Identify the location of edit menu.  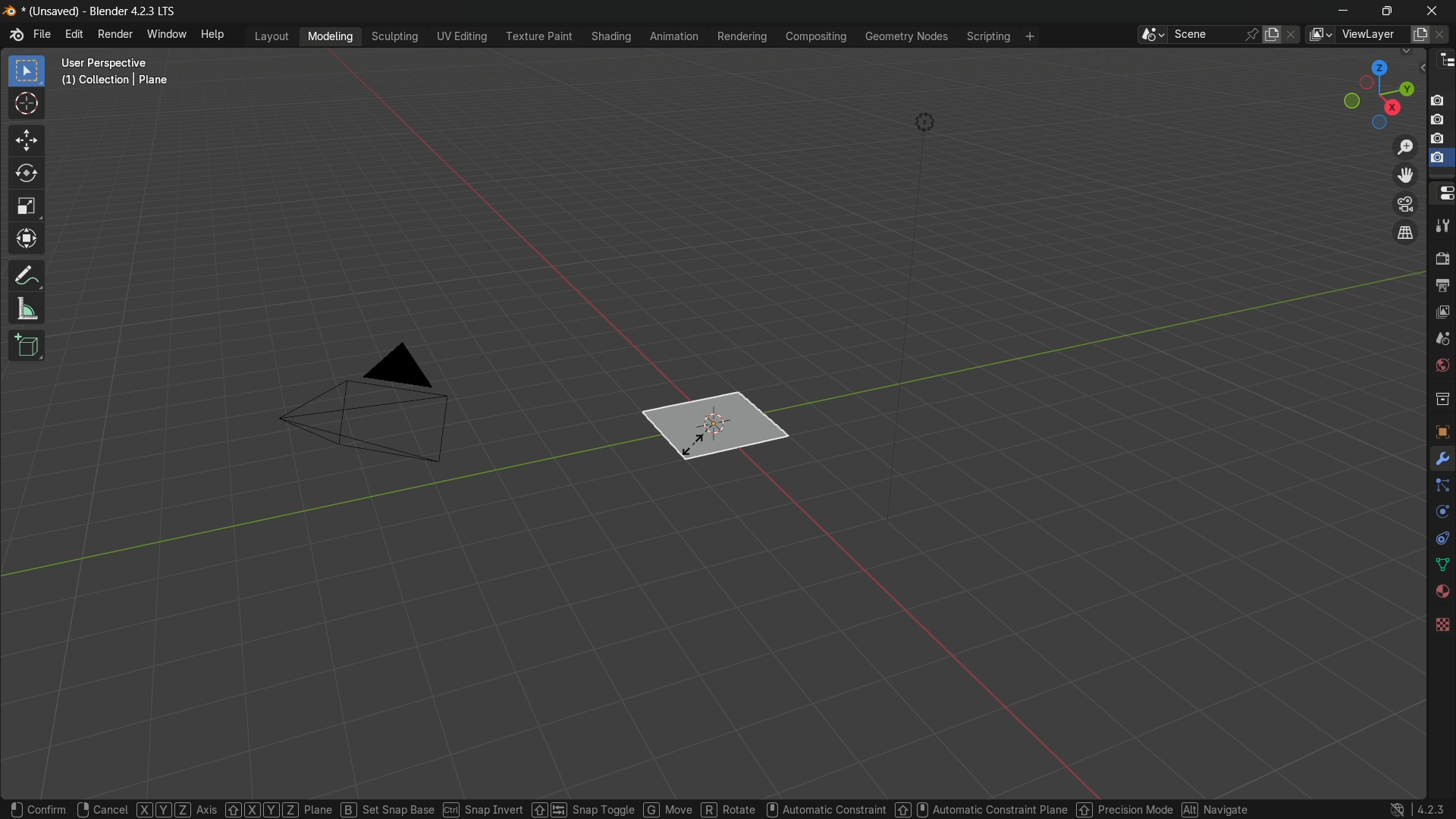
(77, 36).